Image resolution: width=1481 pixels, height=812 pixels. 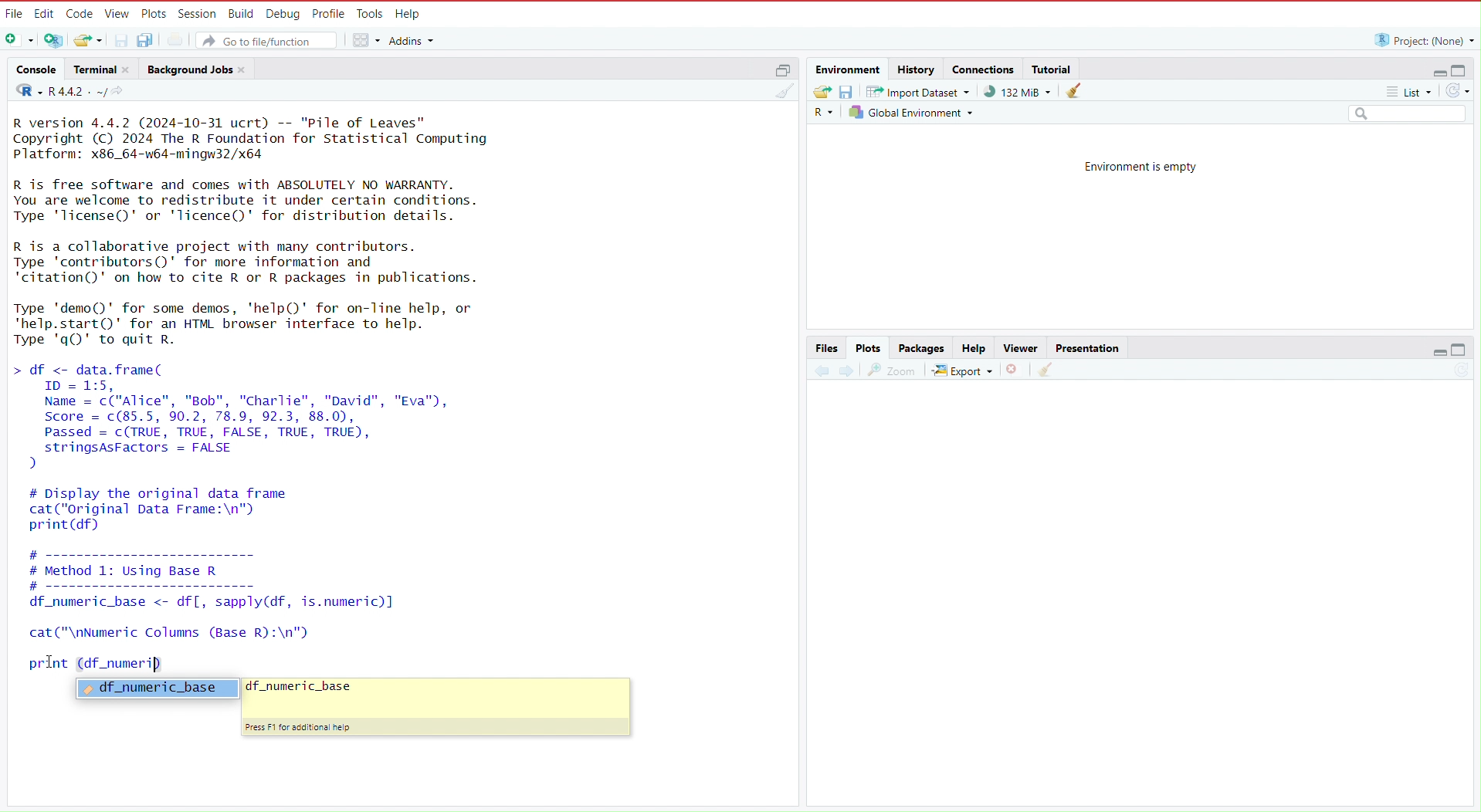 I want to click on cursor, so click(x=51, y=660).